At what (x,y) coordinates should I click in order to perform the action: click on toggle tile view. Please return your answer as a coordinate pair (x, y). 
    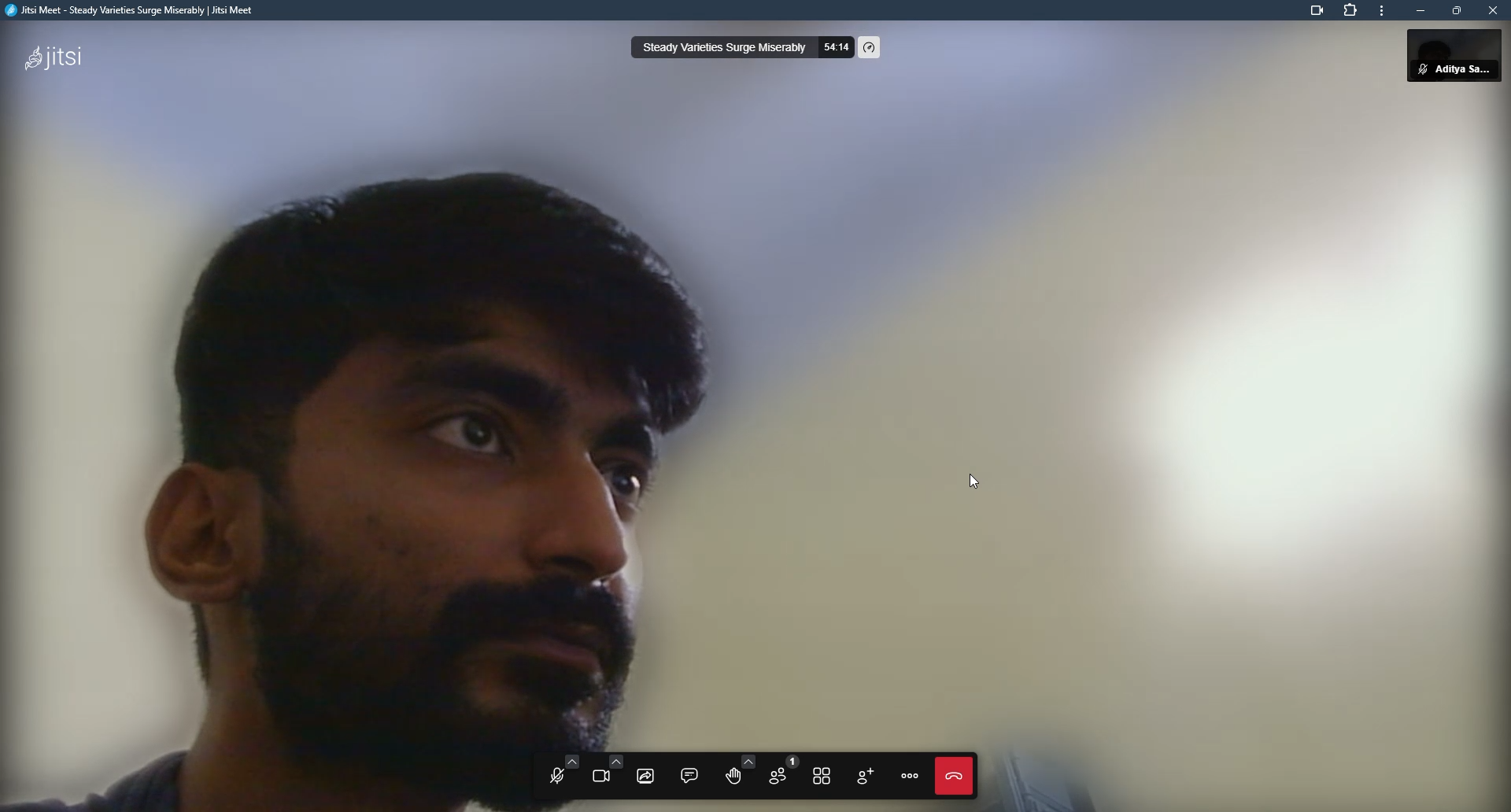
    Looking at the image, I should click on (823, 775).